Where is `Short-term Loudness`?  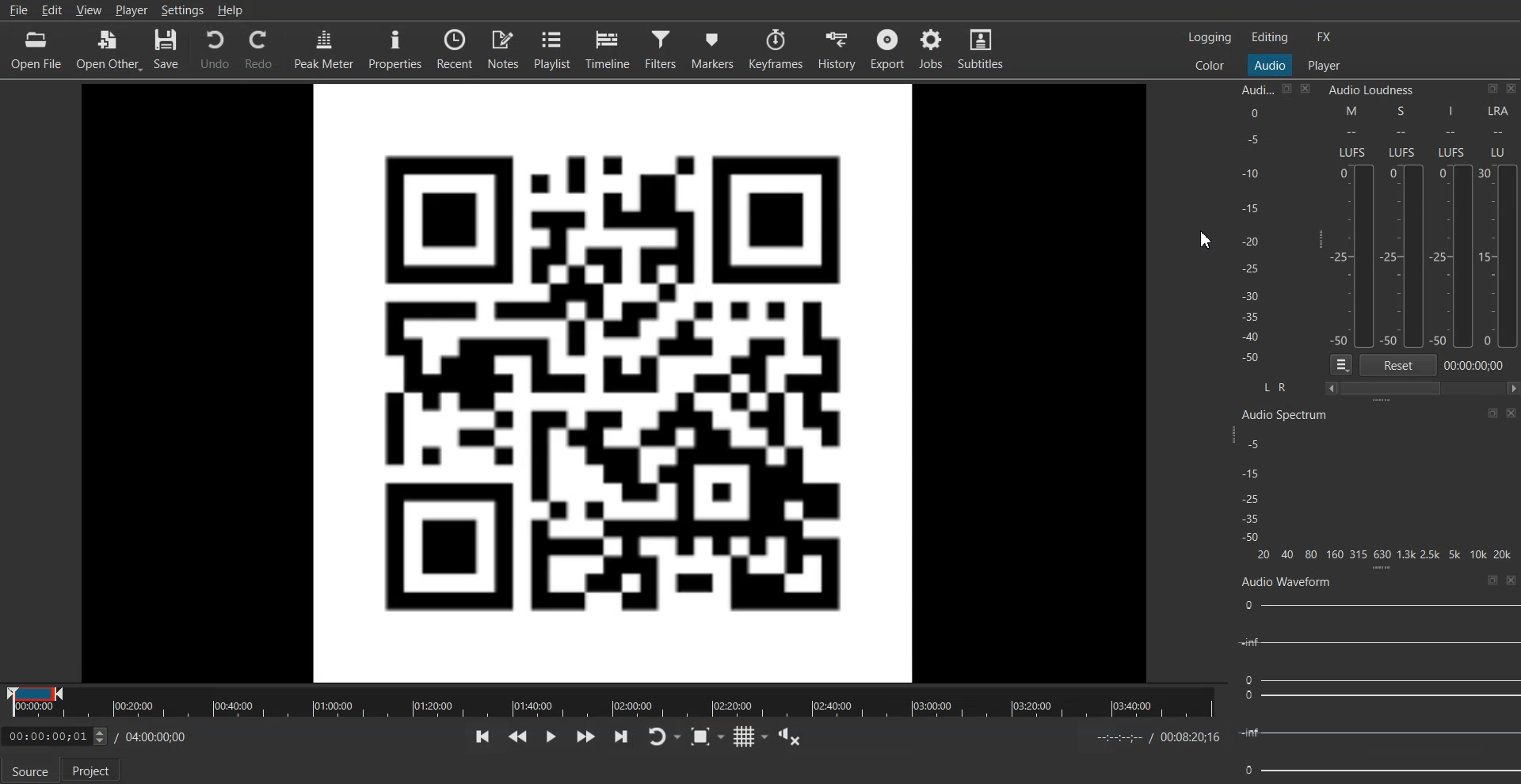 Short-term Loudness is located at coordinates (1405, 226).